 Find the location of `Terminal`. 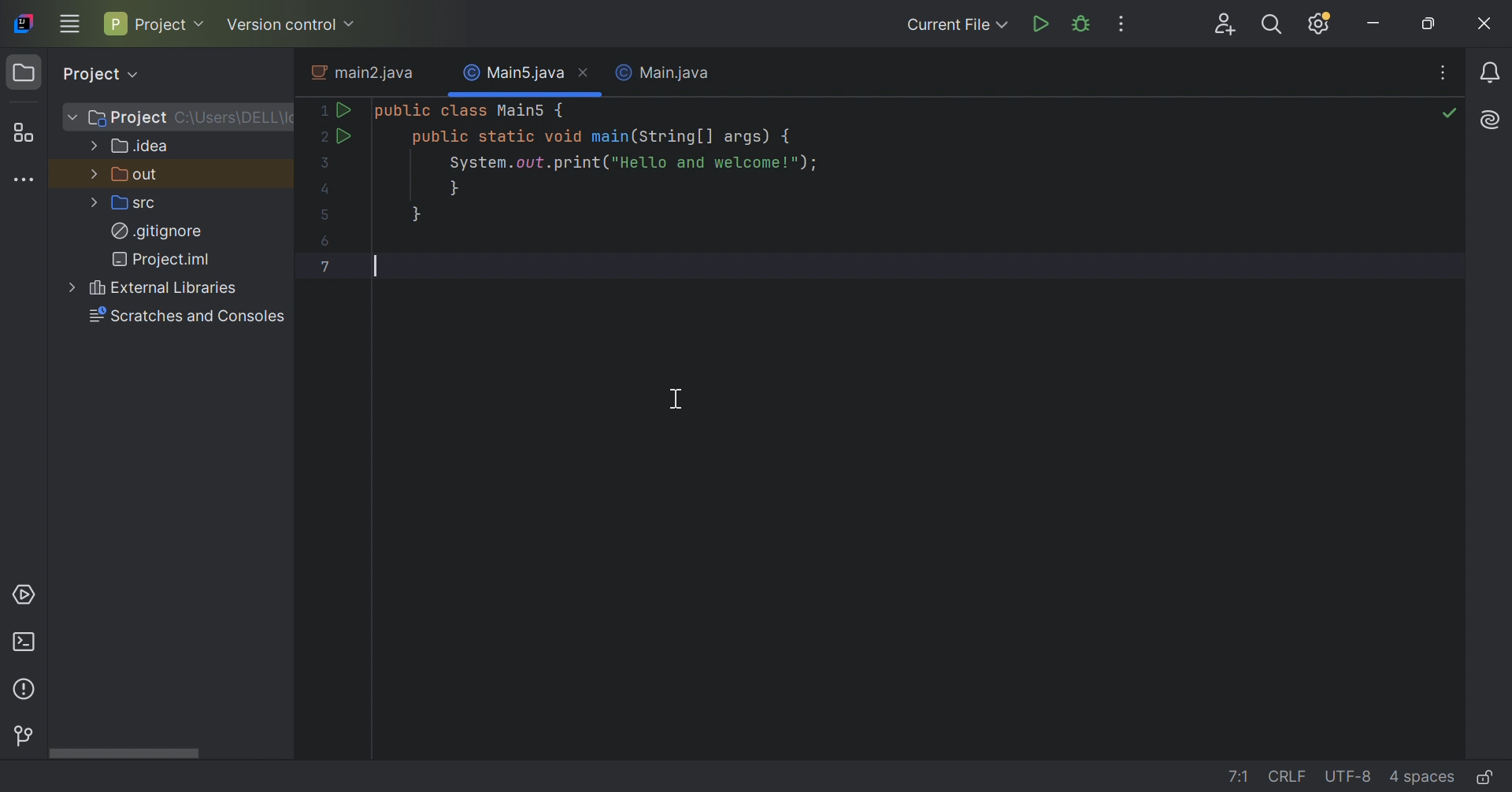

Terminal is located at coordinates (27, 642).